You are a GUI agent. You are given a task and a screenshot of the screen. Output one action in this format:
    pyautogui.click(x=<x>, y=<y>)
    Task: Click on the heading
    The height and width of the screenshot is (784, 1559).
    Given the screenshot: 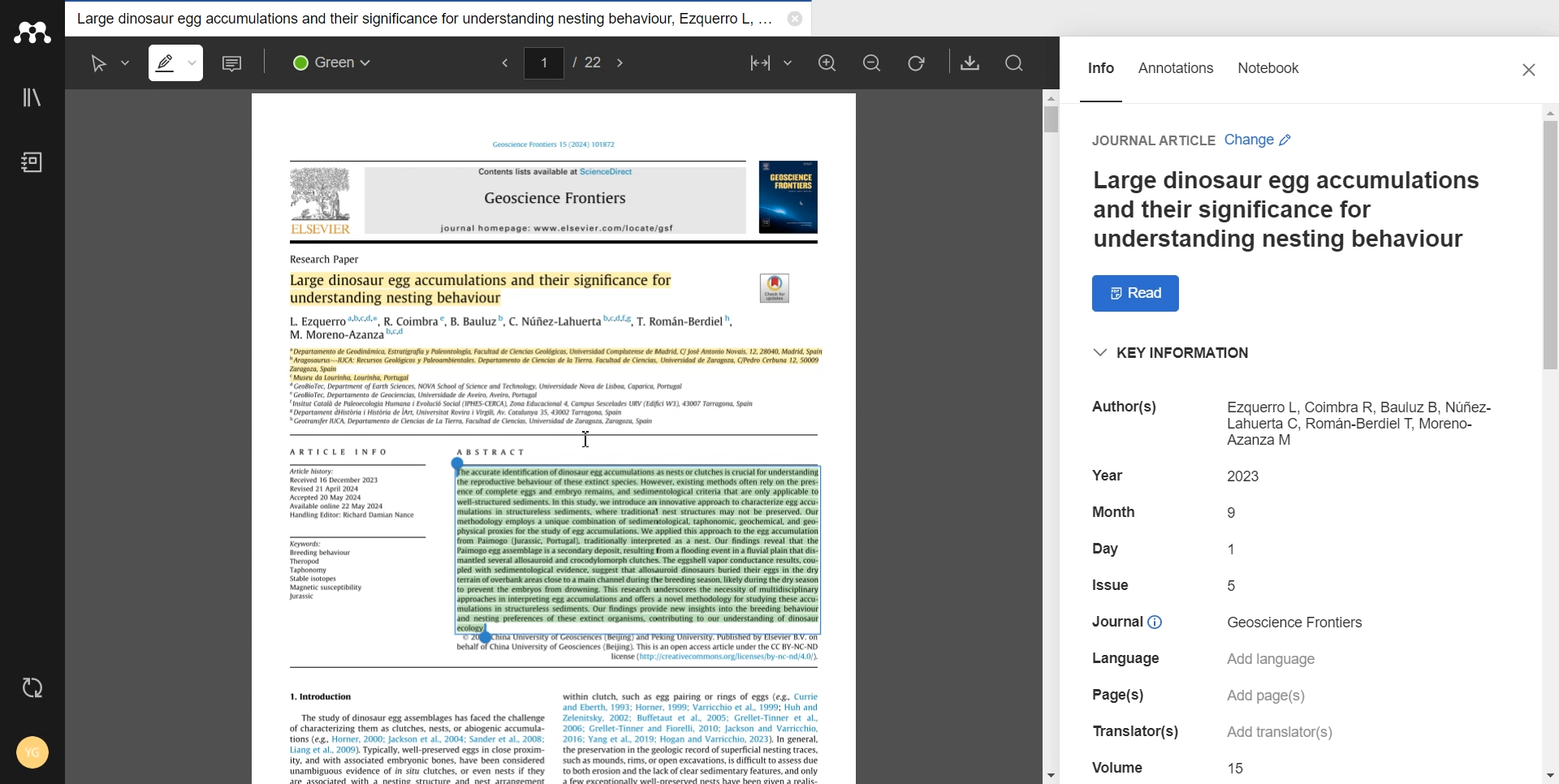 What is the action you would take?
    pyautogui.click(x=328, y=260)
    